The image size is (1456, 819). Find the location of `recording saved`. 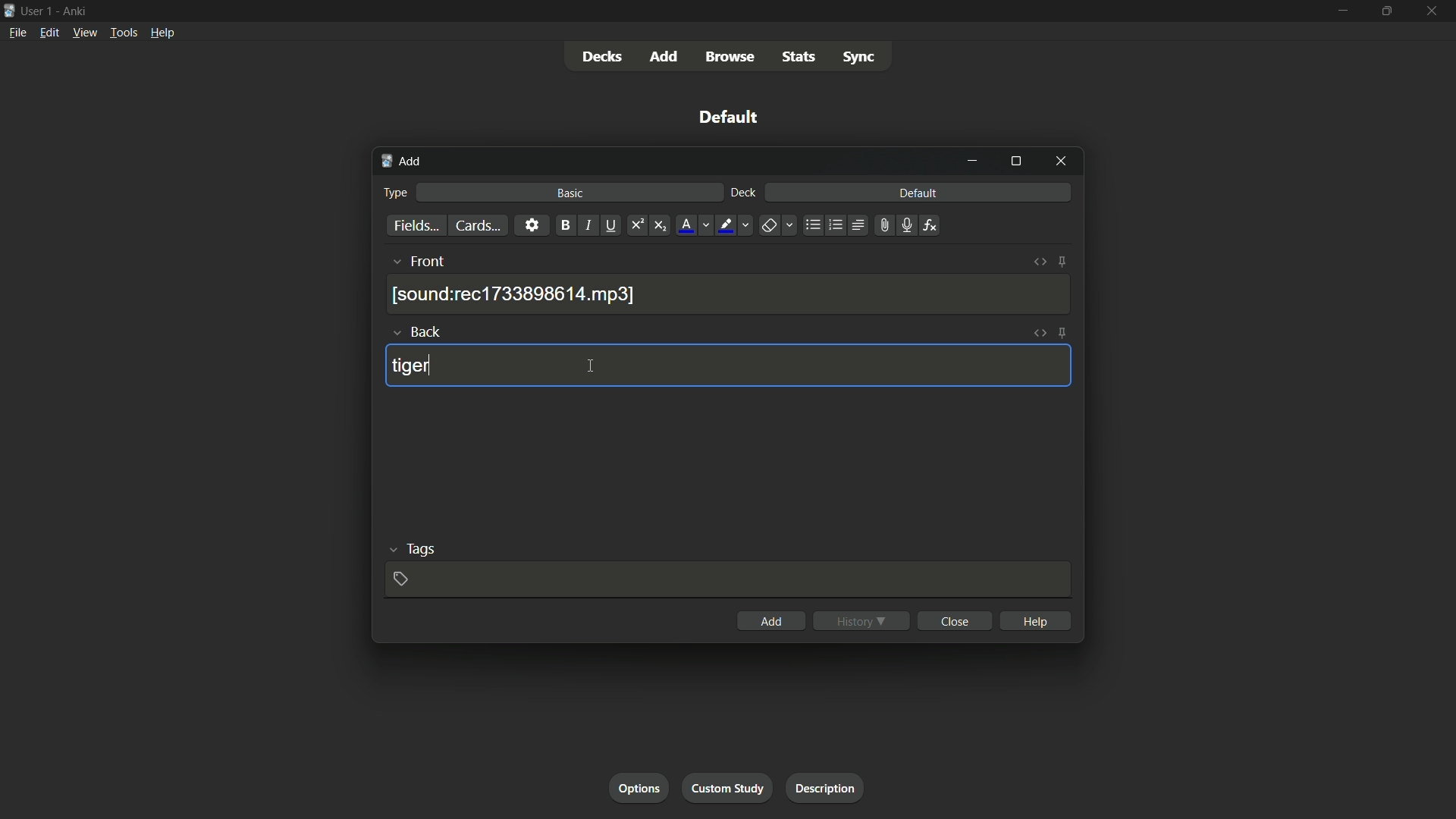

recording saved is located at coordinates (516, 294).